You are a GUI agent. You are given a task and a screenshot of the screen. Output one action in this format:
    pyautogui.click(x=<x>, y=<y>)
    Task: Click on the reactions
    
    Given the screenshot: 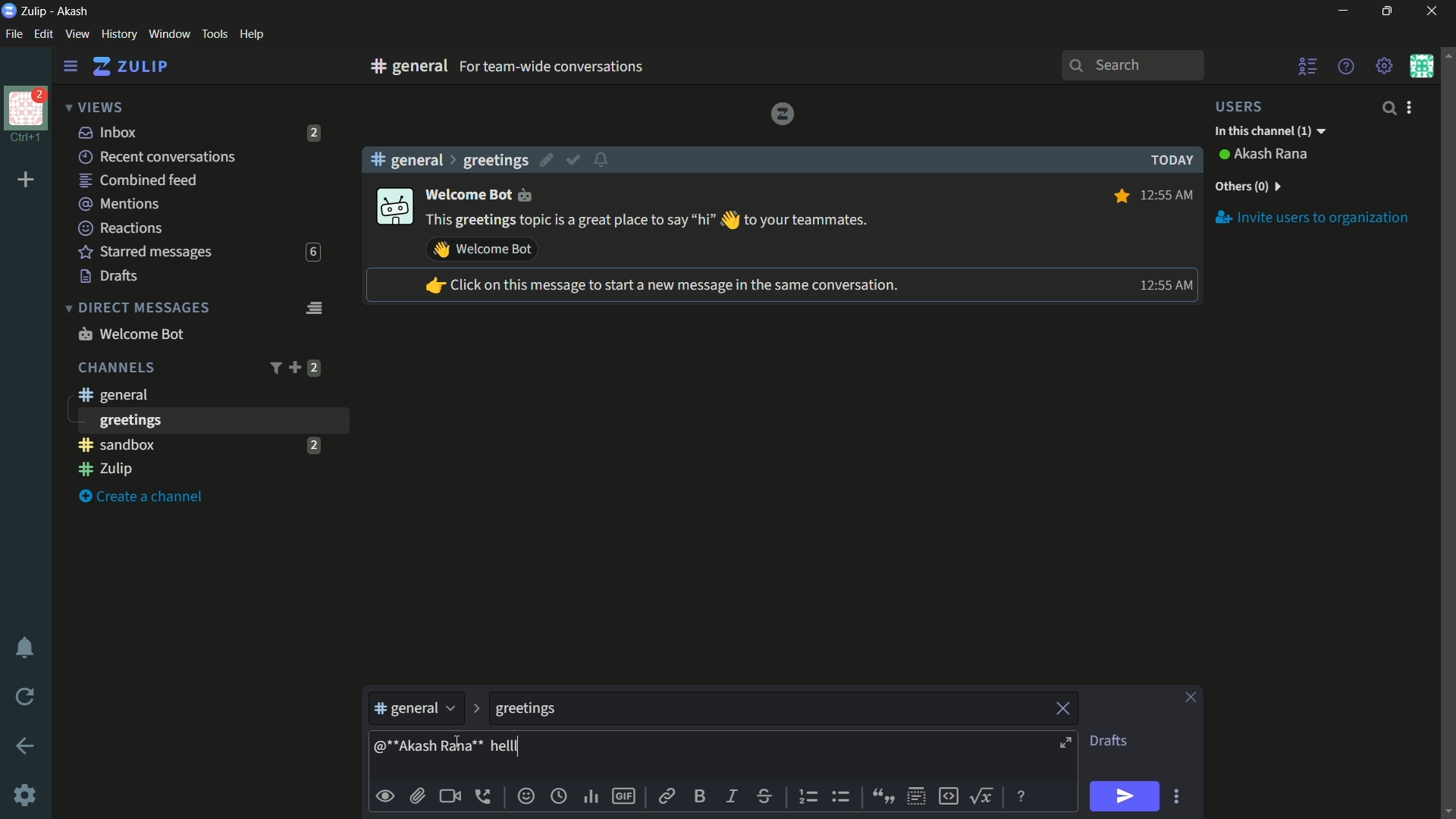 What is the action you would take?
    pyautogui.click(x=120, y=227)
    